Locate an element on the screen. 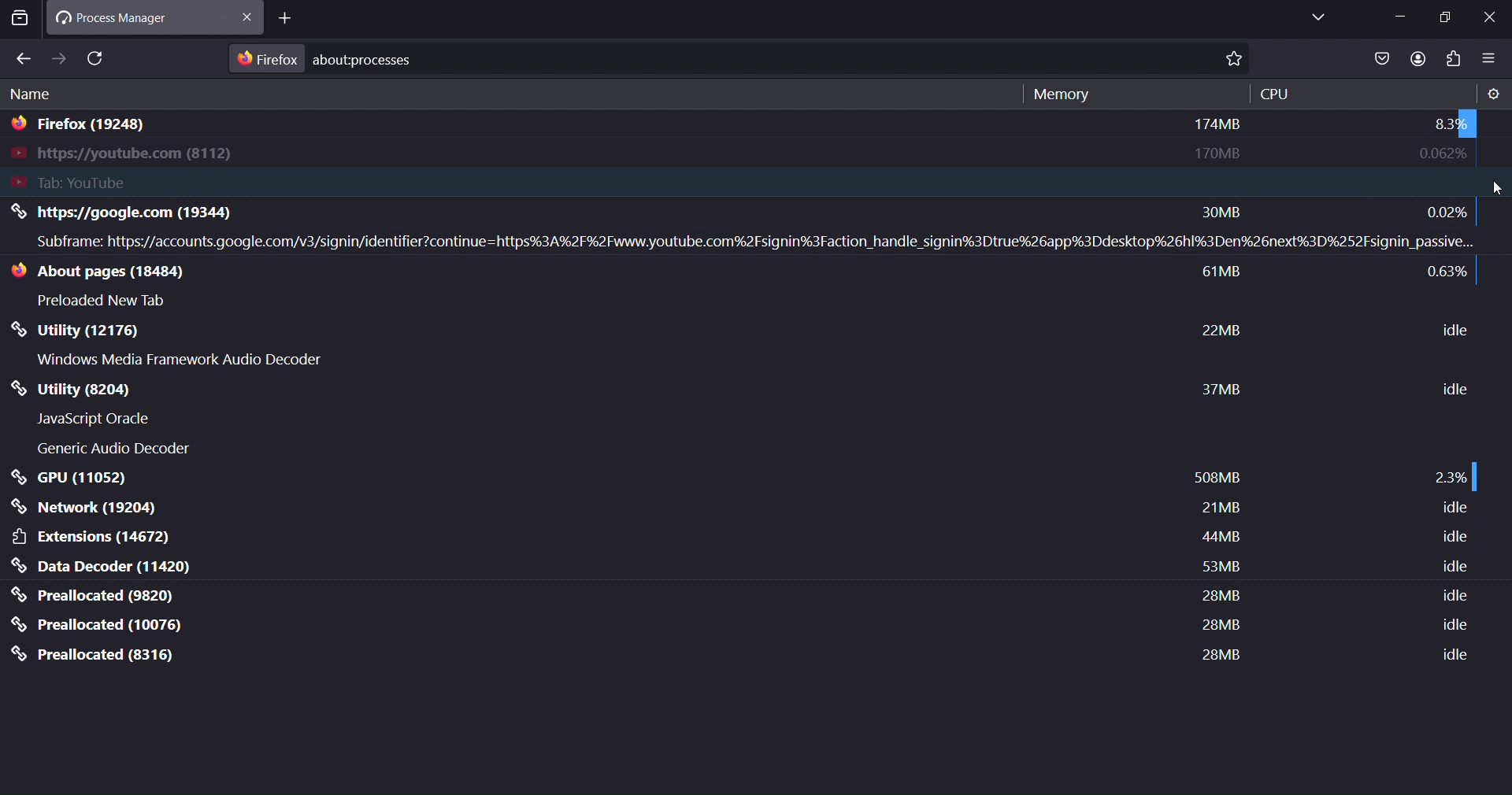  minimize is located at coordinates (1399, 16).